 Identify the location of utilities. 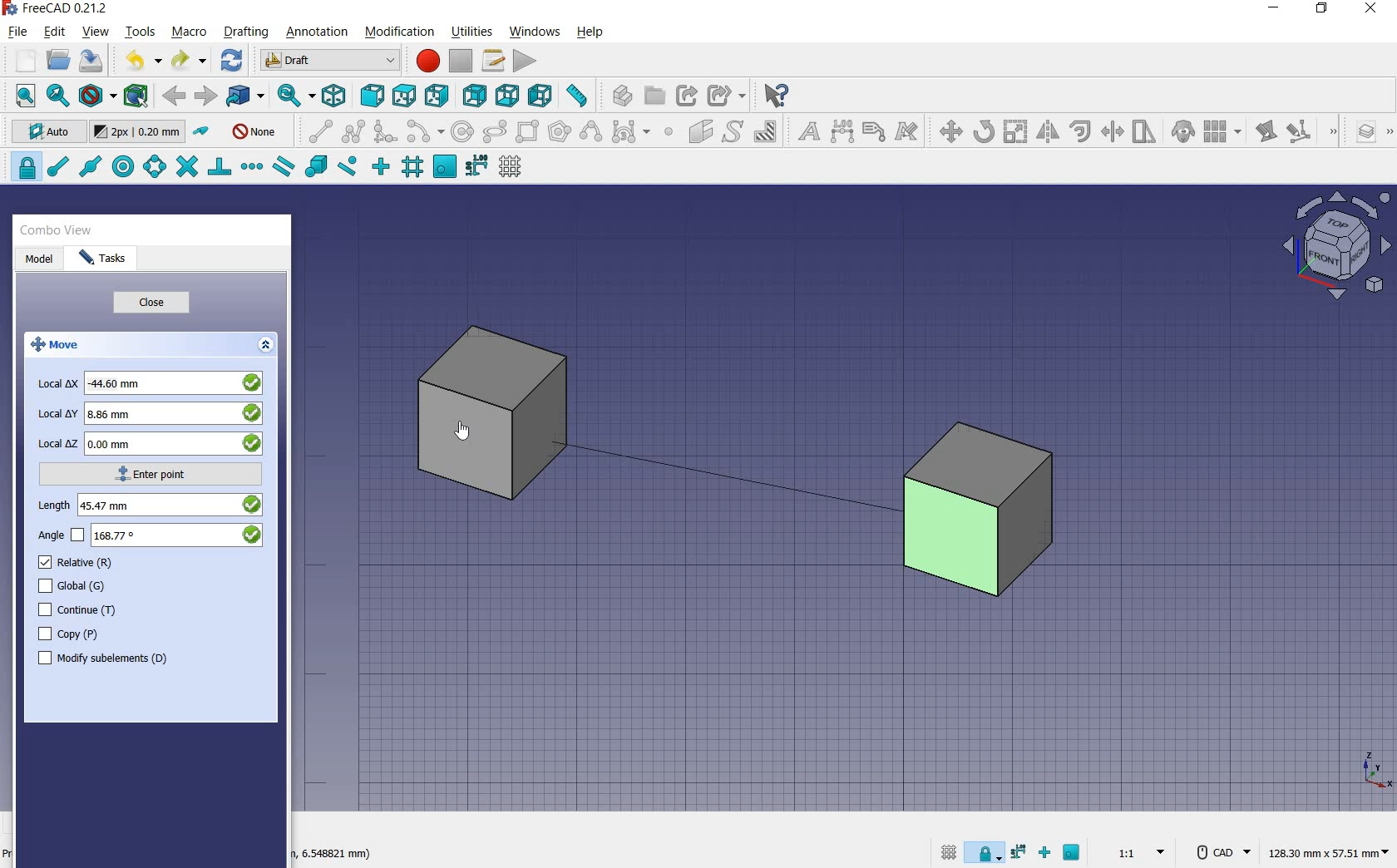
(474, 31).